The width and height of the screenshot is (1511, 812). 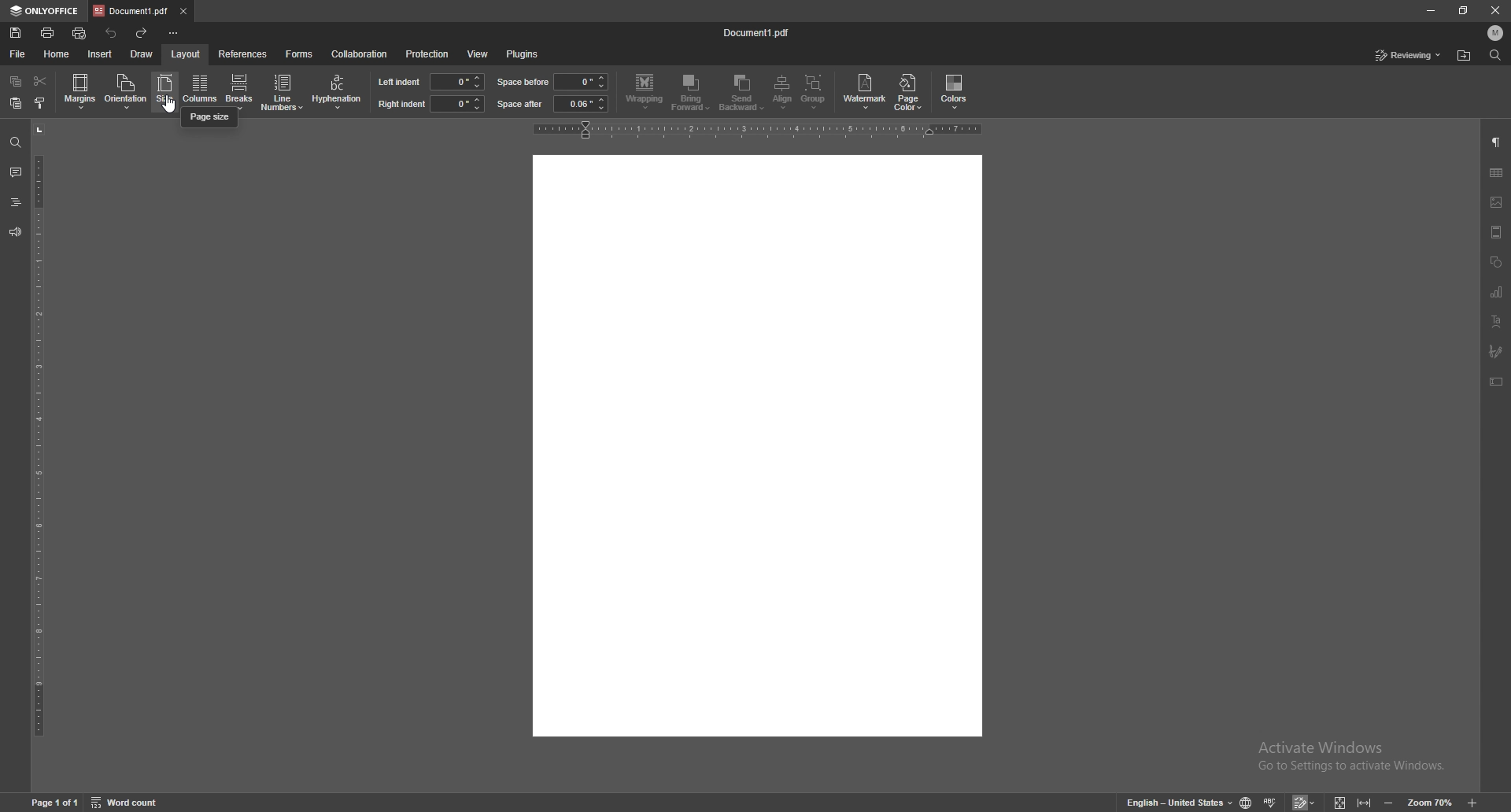 What do you see at coordinates (1496, 9) in the screenshot?
I see `close` at bounding box center [1496, 9].